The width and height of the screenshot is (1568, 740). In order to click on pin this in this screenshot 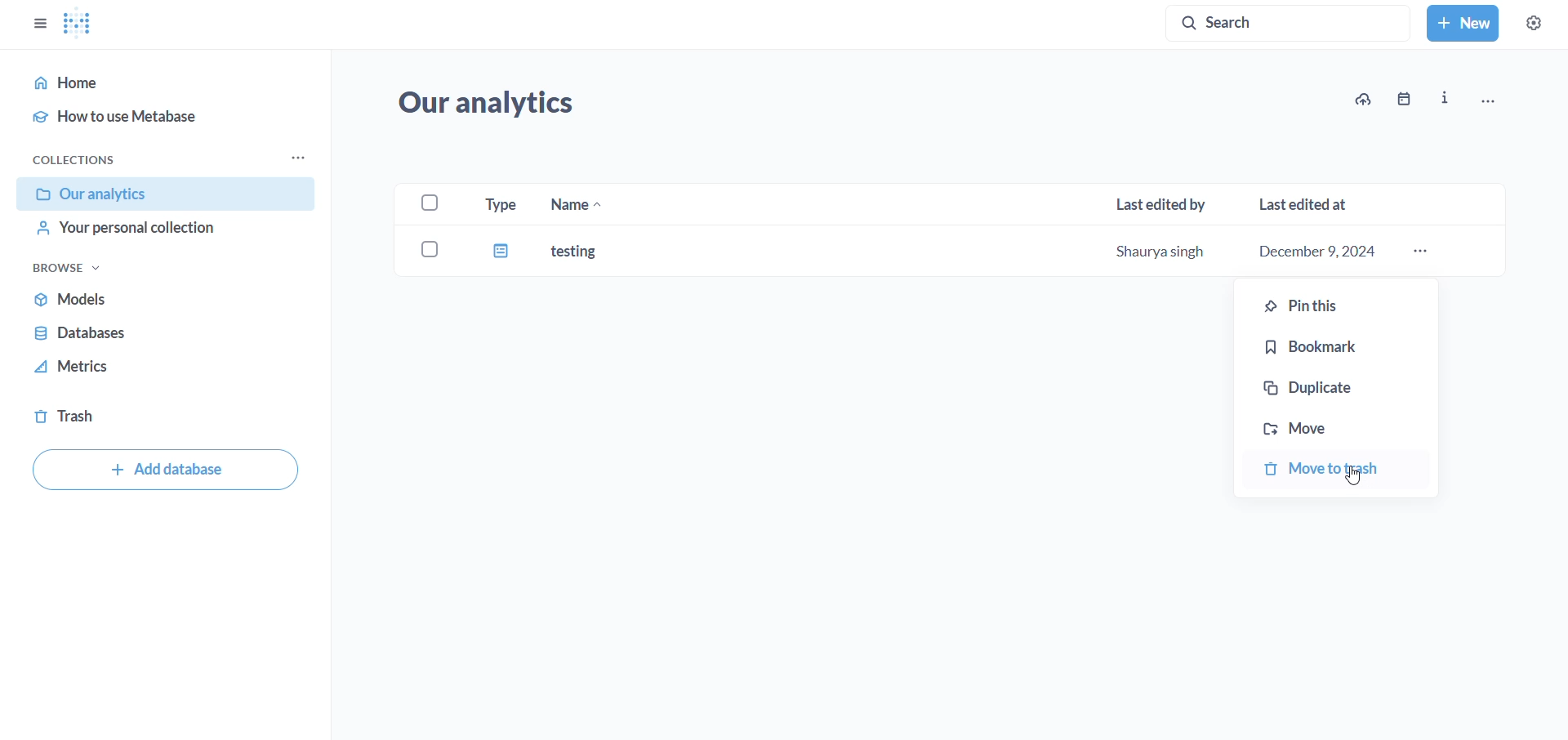, I will do `click(1343, 305)`.